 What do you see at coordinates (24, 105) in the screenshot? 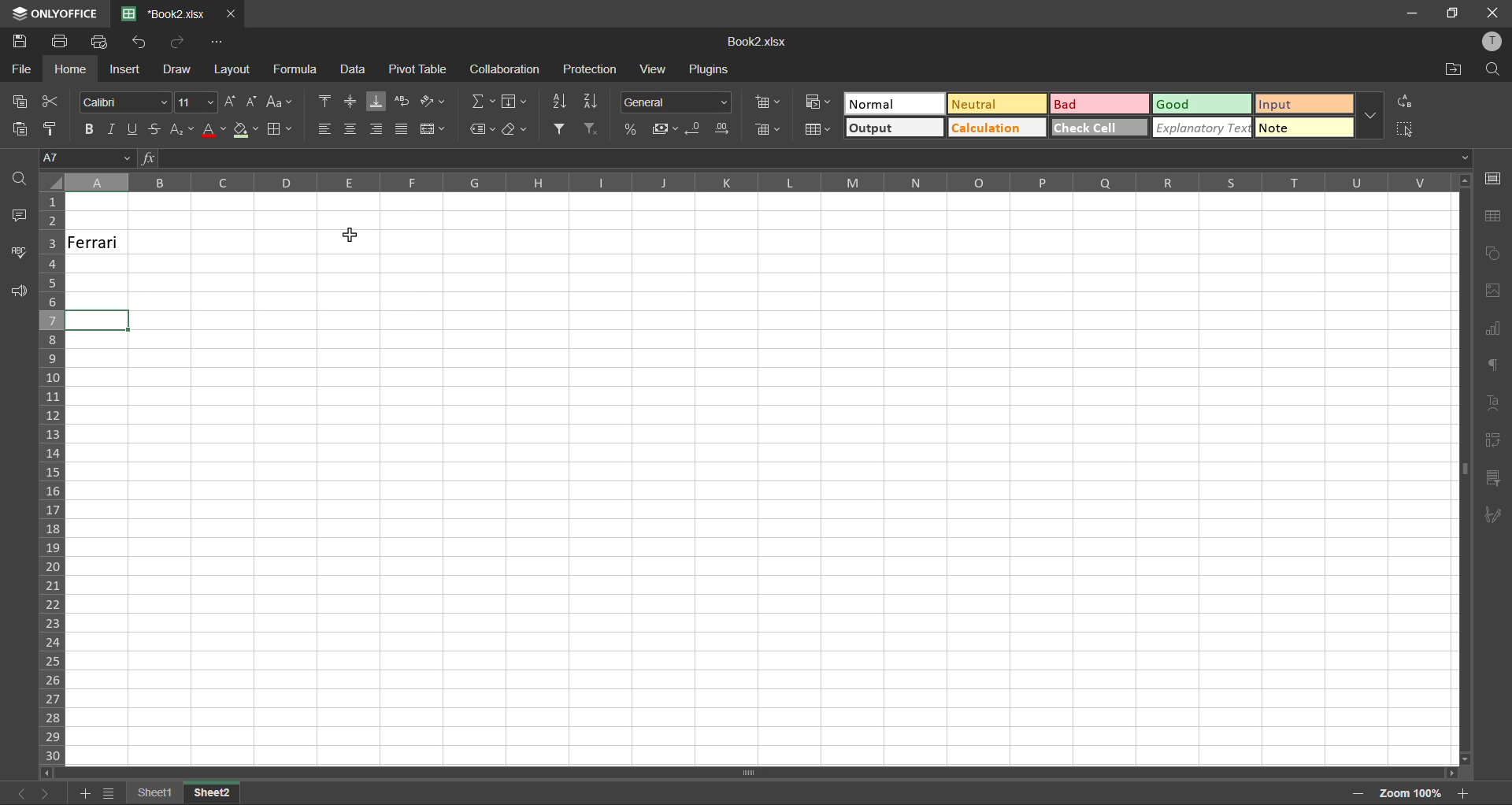
I see `copy` at bounding box center [24, 105].